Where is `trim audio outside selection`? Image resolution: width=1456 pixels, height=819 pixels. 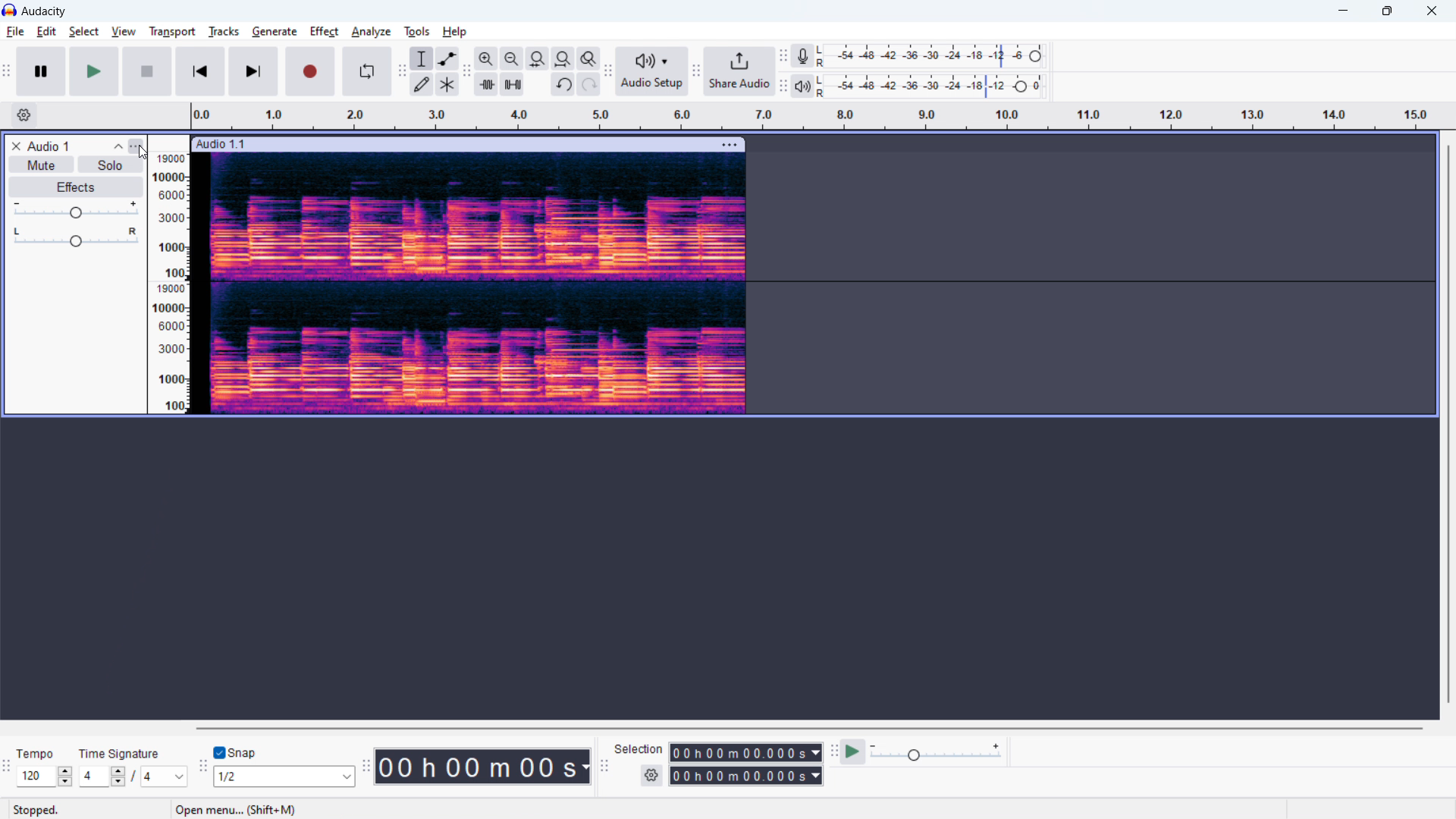 trim audio outside selection is located at coordinates (486, 83).